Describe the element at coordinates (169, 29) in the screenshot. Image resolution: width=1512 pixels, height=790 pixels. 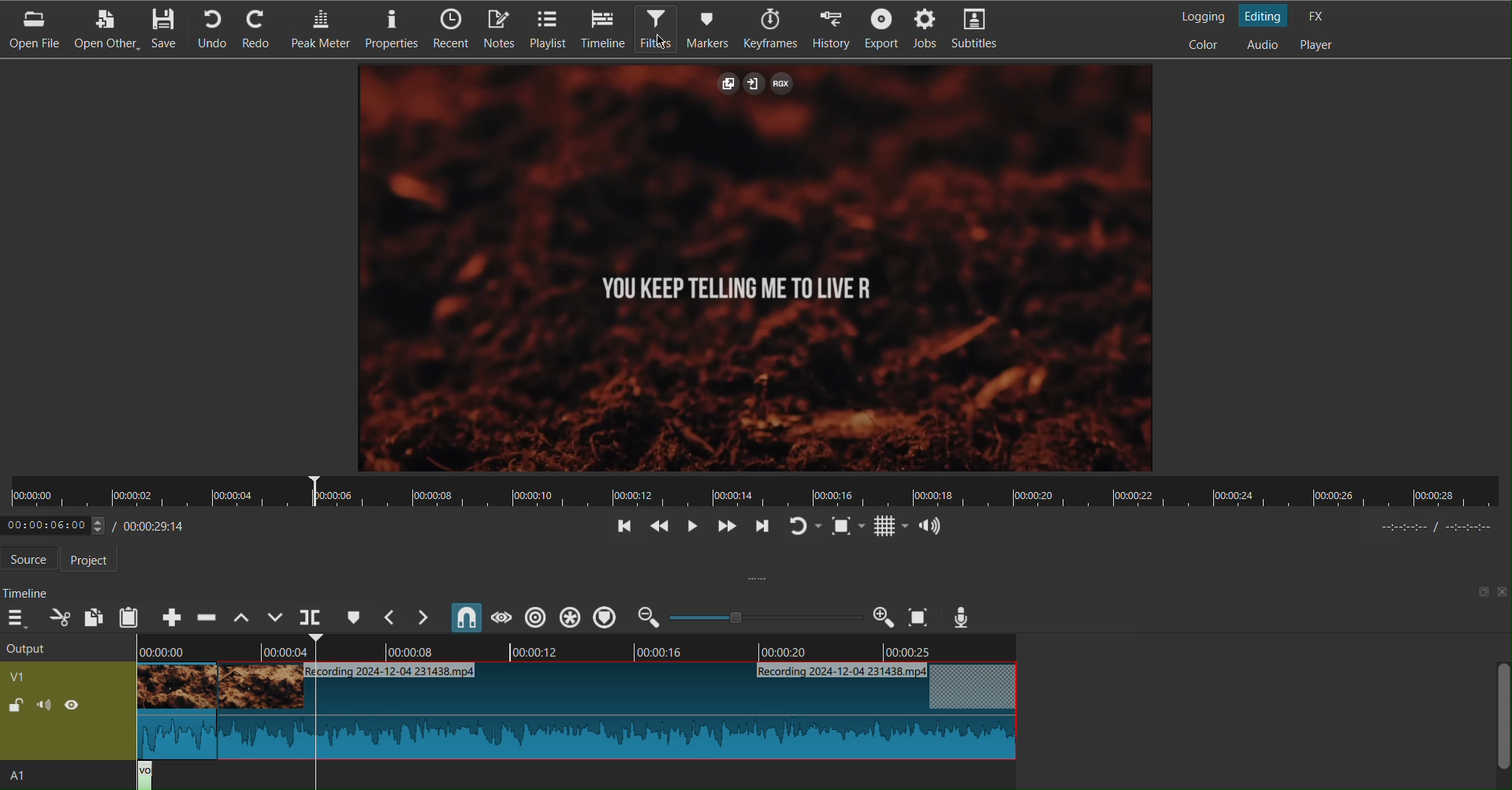
I see `Save` at that location.